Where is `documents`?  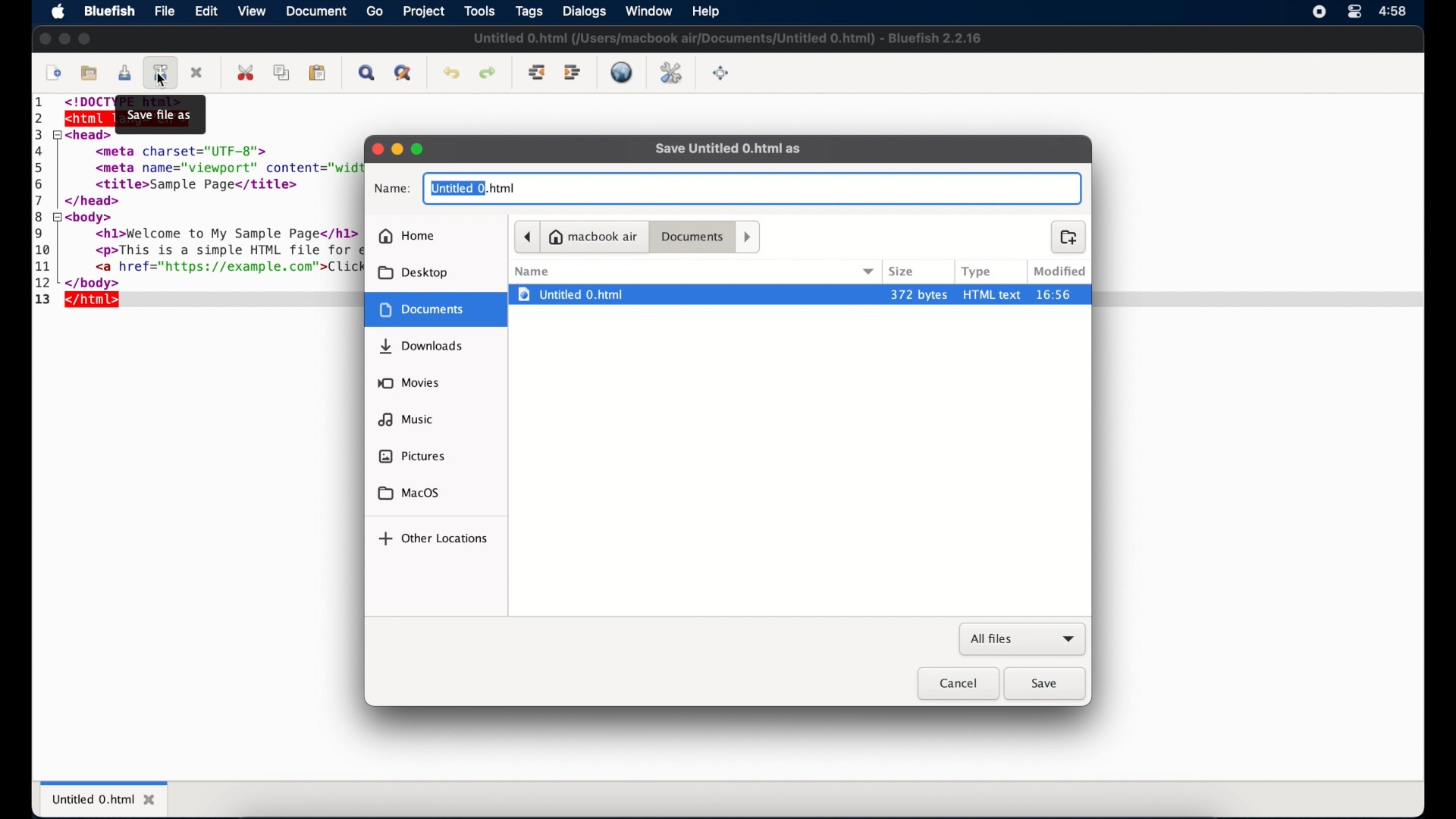 documents is located at coordinates (692, 237).